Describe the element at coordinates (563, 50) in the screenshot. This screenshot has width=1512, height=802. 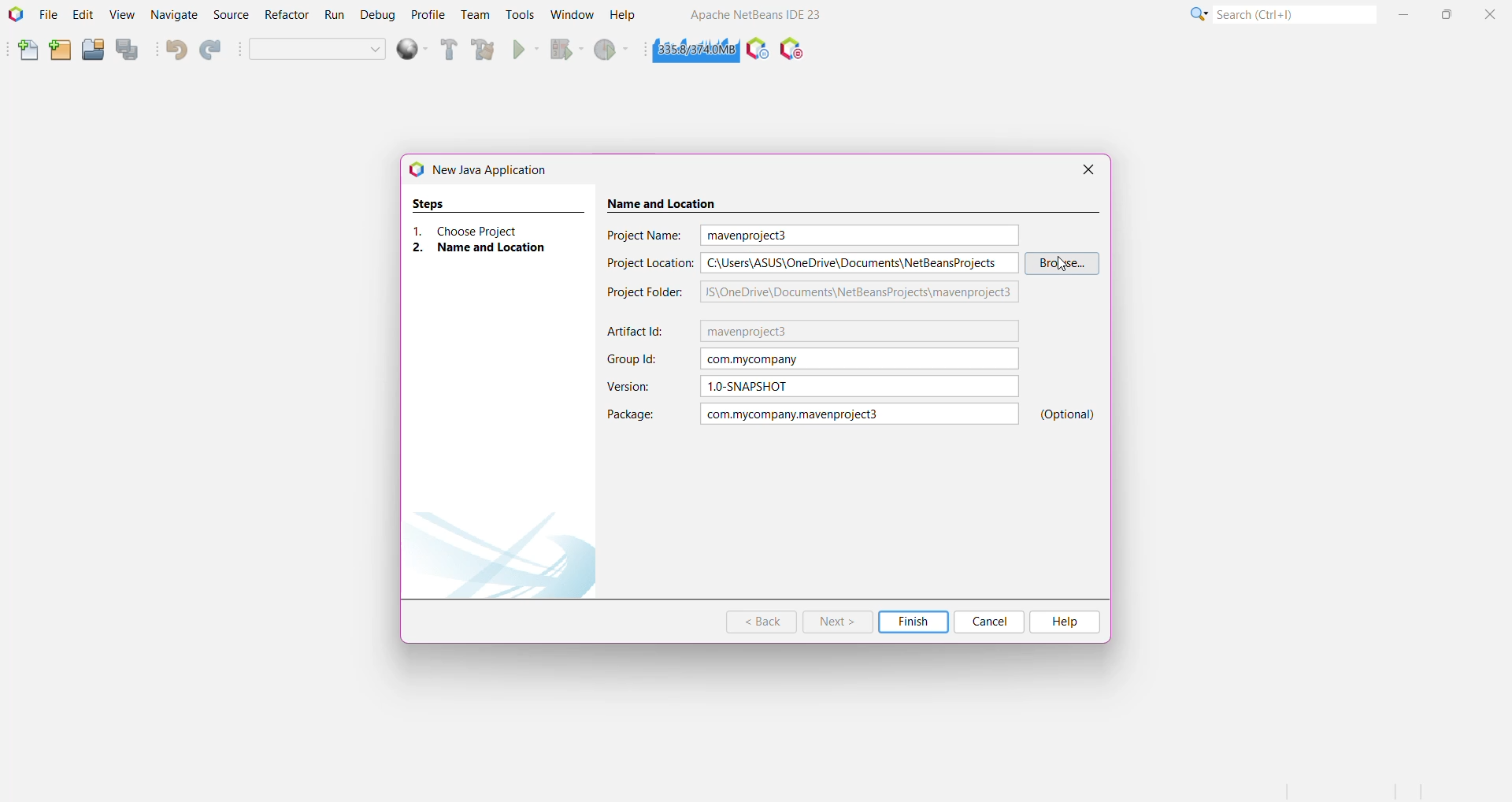
I see `Debug Project` at that location.